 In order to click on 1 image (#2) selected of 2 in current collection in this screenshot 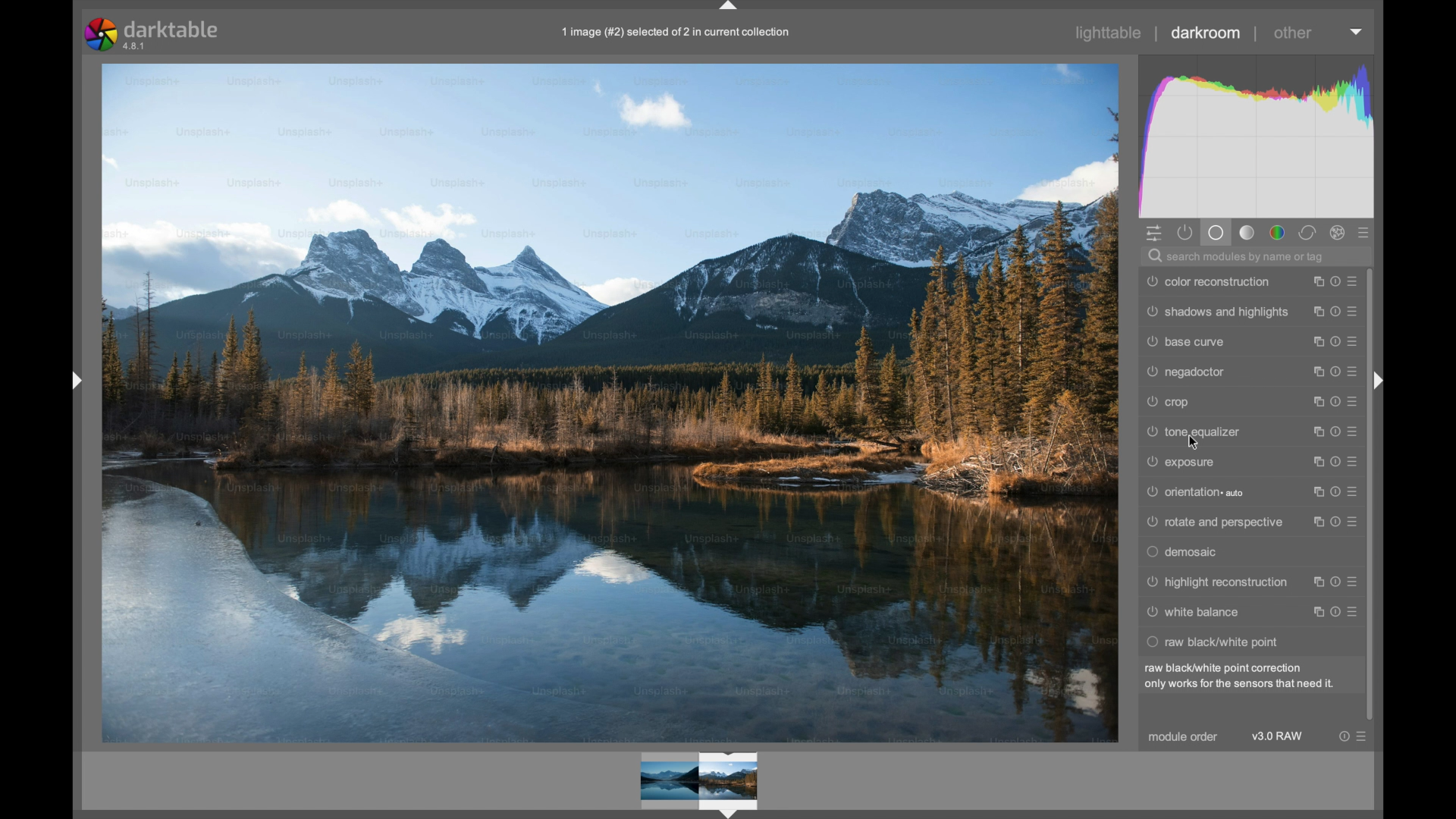, I will do `click(692, 36)`.